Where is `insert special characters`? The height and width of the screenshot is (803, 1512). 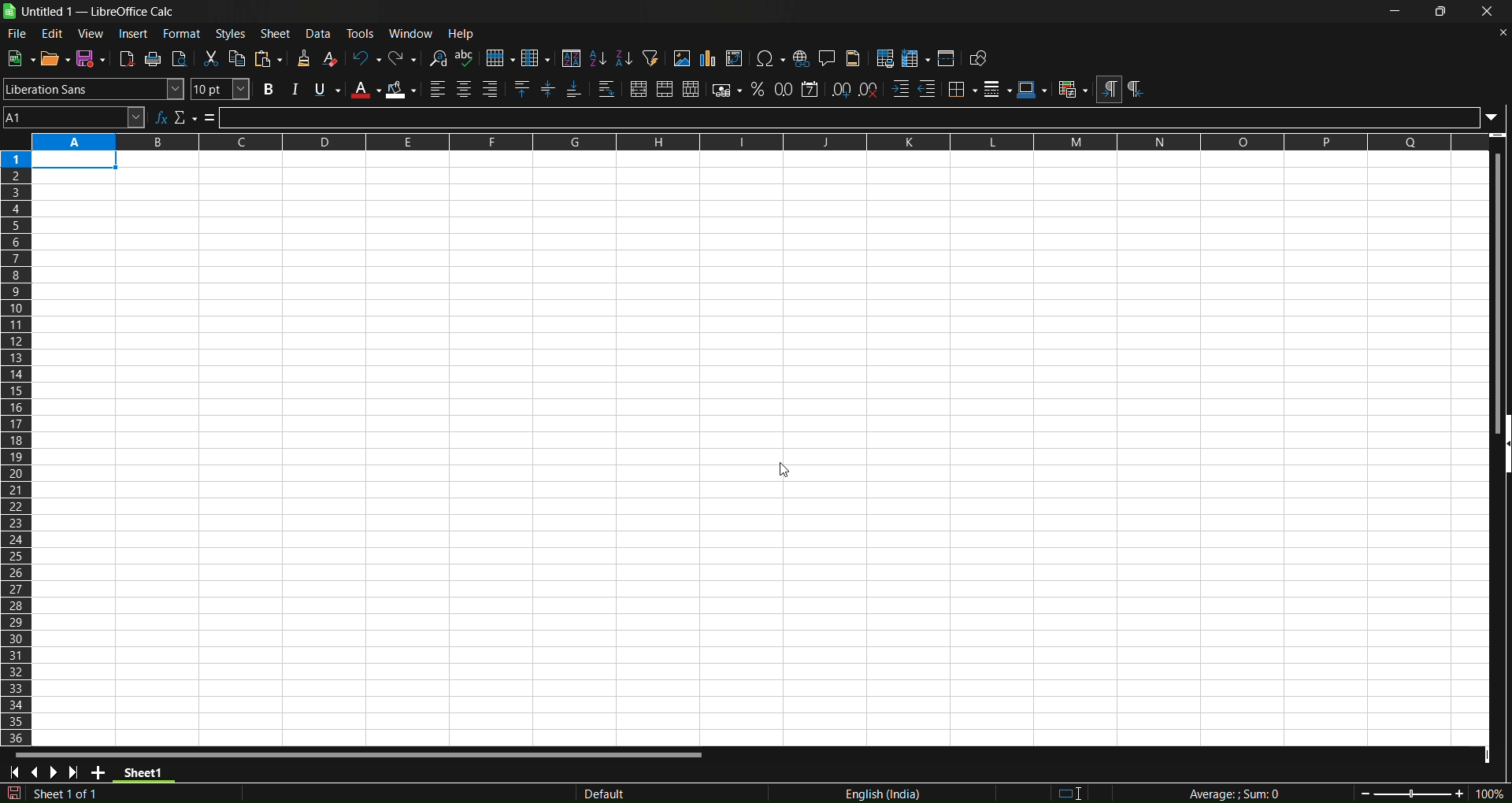 insert special characters is located at coordinates (770, 59).